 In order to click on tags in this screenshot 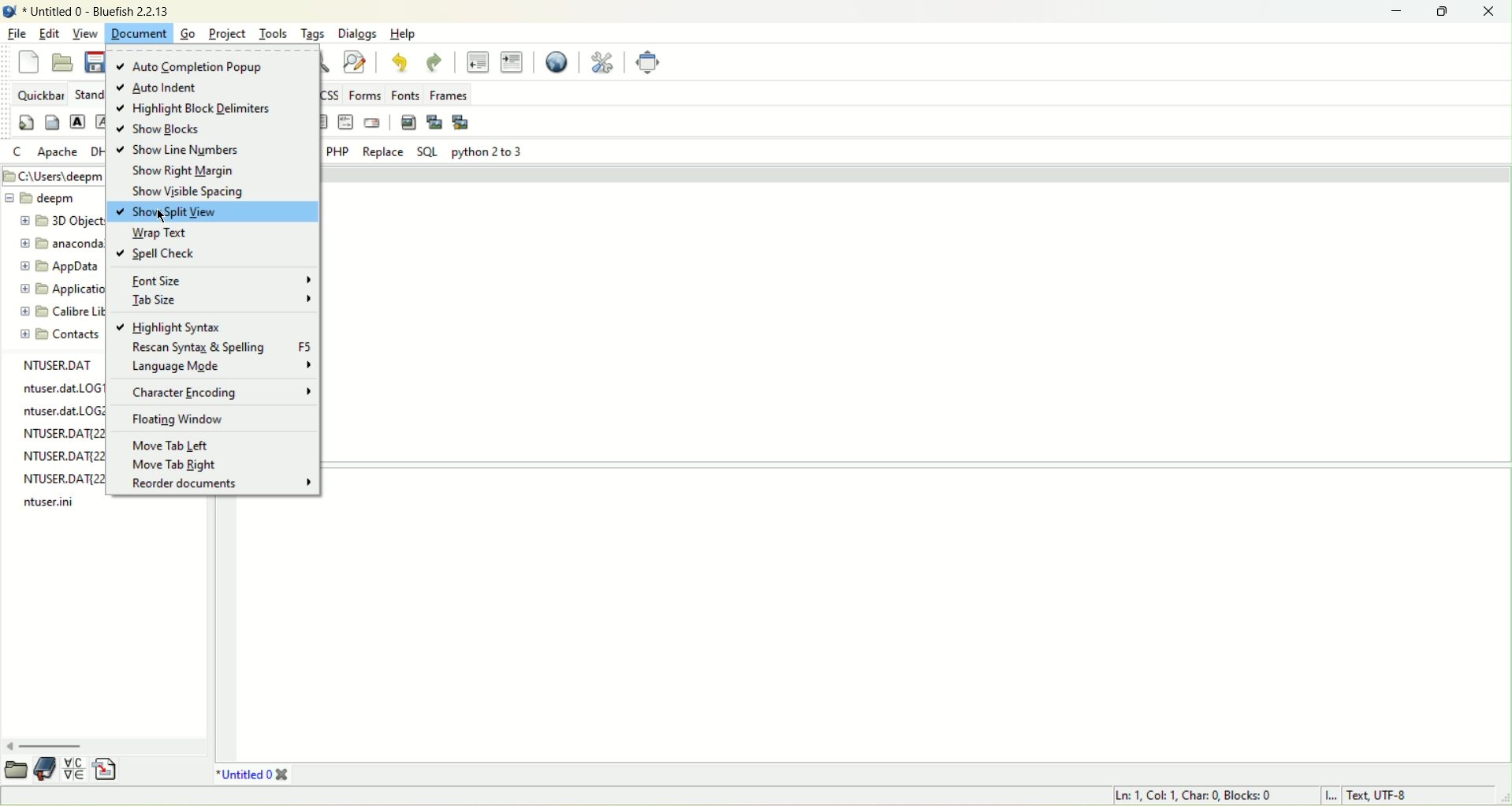, I will do `click(314, 35)`.